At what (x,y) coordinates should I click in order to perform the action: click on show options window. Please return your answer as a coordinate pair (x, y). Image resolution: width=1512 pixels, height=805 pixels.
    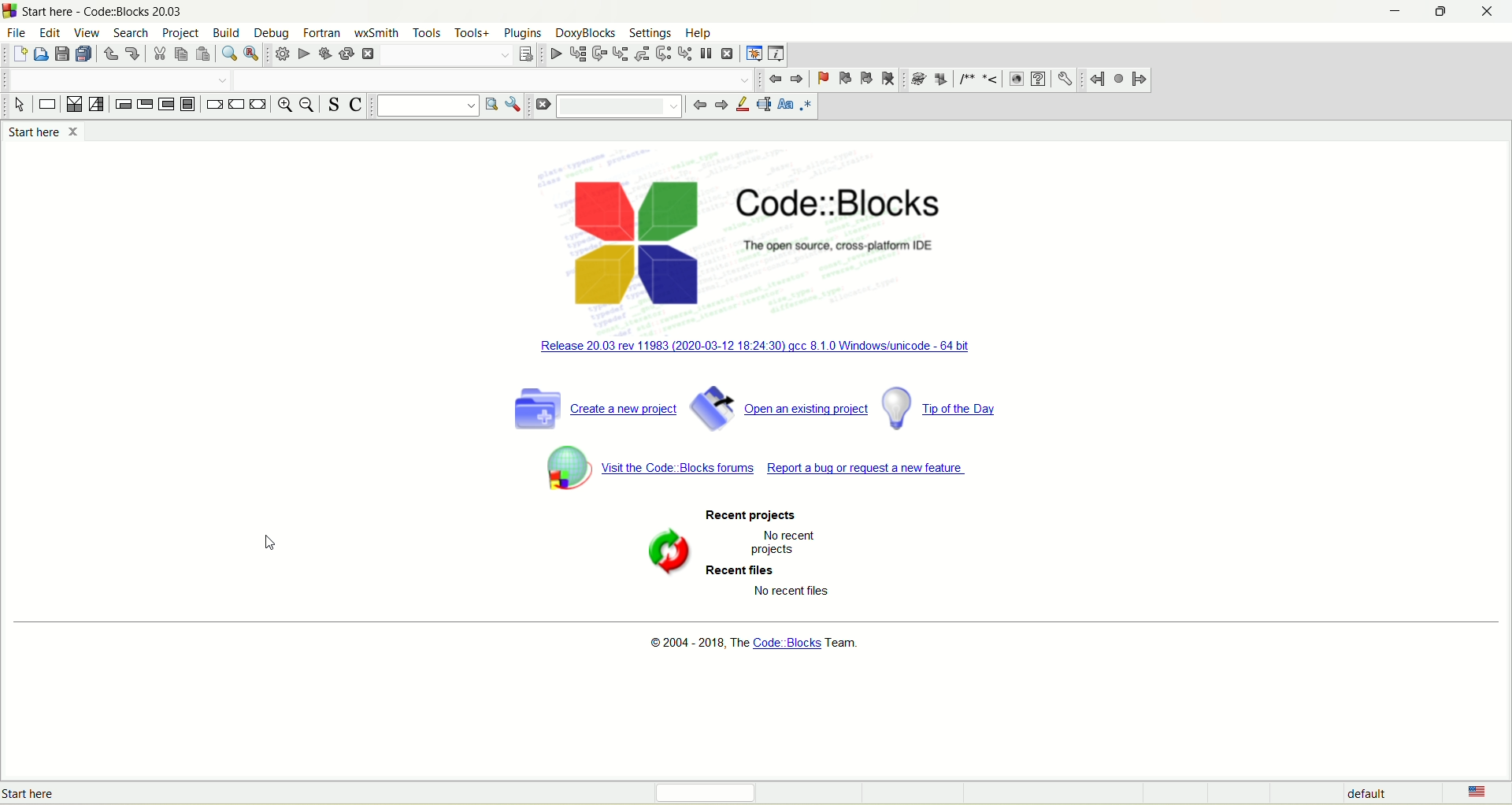
    Looking at the image, I should click on (516, 106).